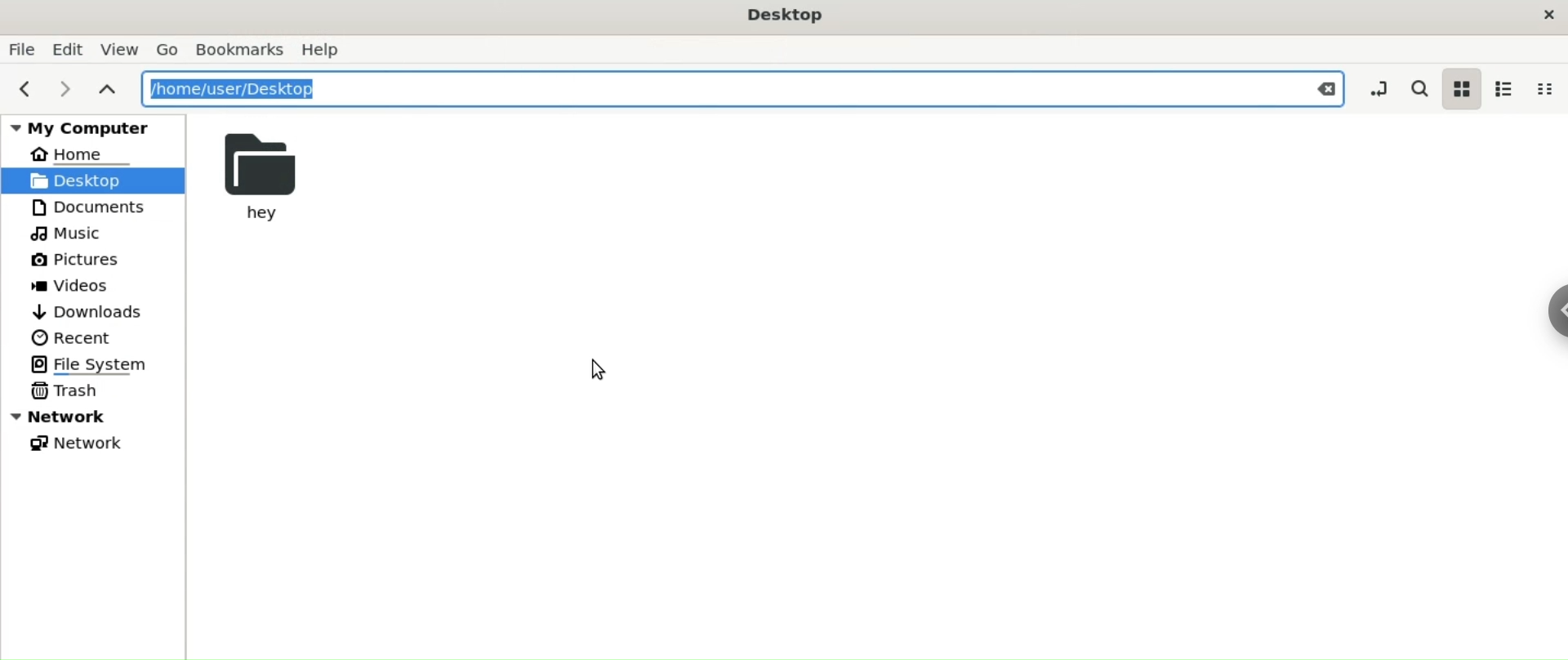 This screenshot has height=660, width=1568. I want to click on compact view, so click(1548, 87).